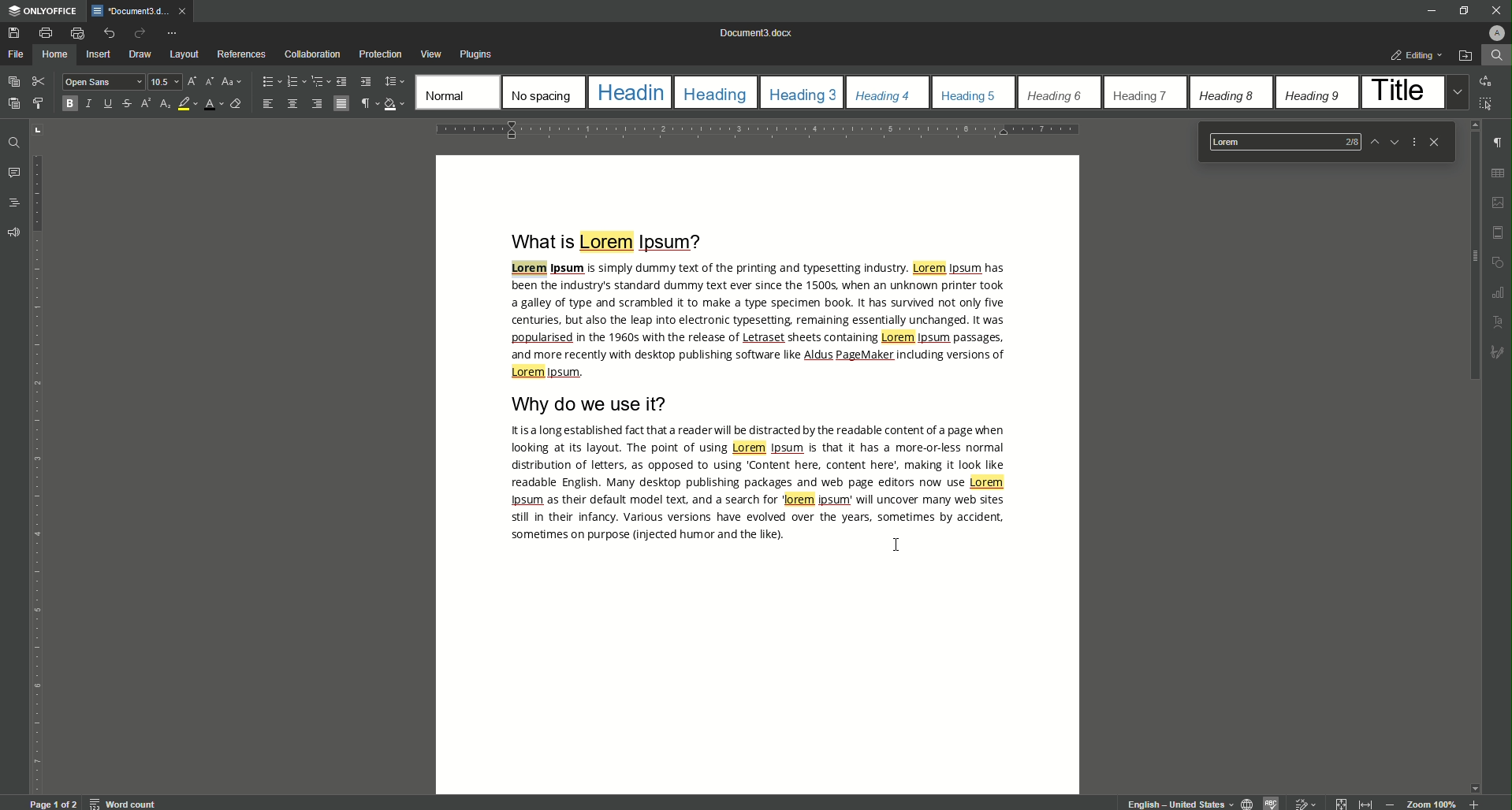 Image resolution: width=1512 pixels, height=810 pixels. I want to click on Title, so click(1398, 89).